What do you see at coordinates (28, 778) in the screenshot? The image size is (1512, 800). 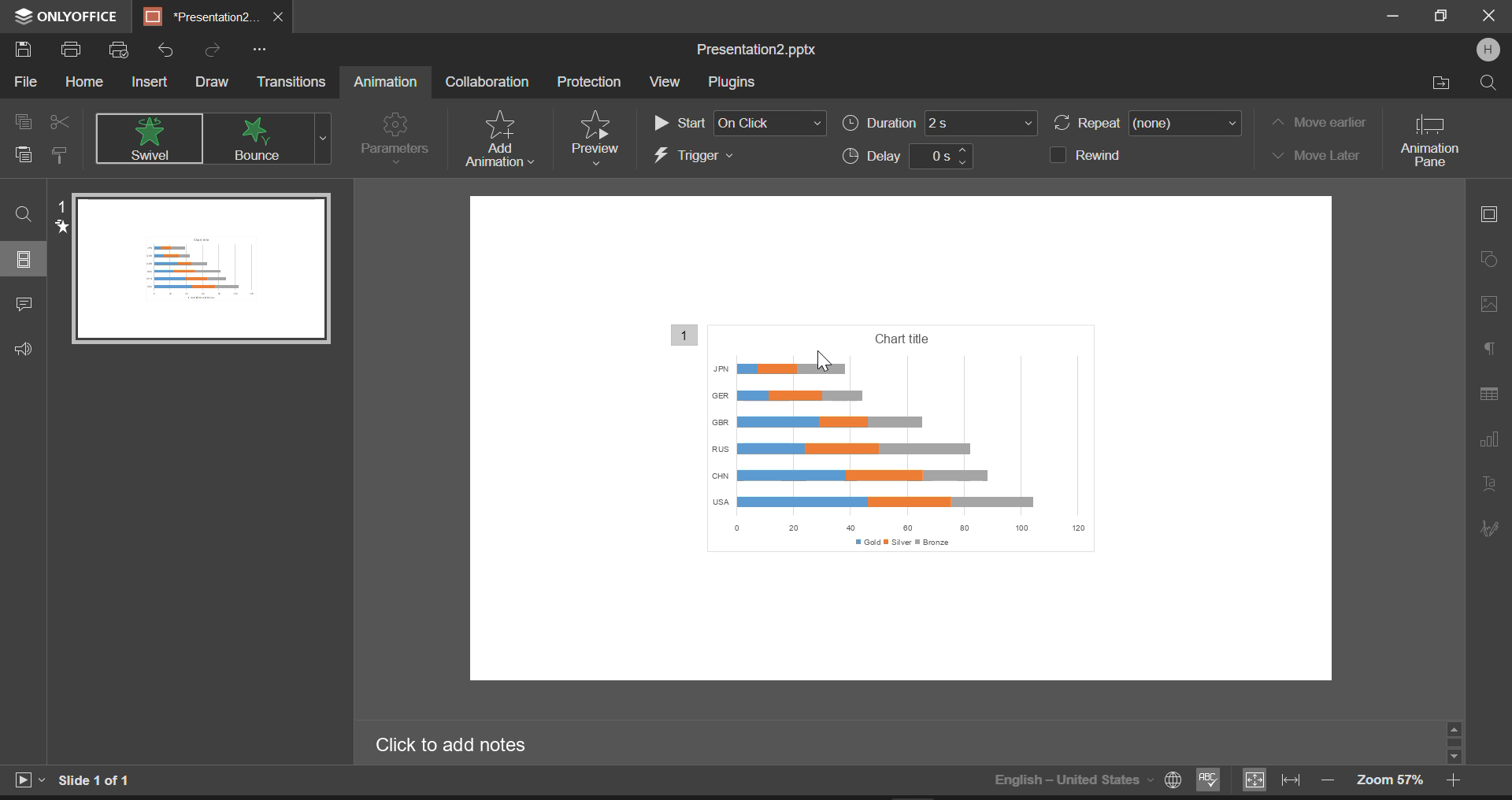 I see `Start Slideshow` at bounding box center [28, 778].